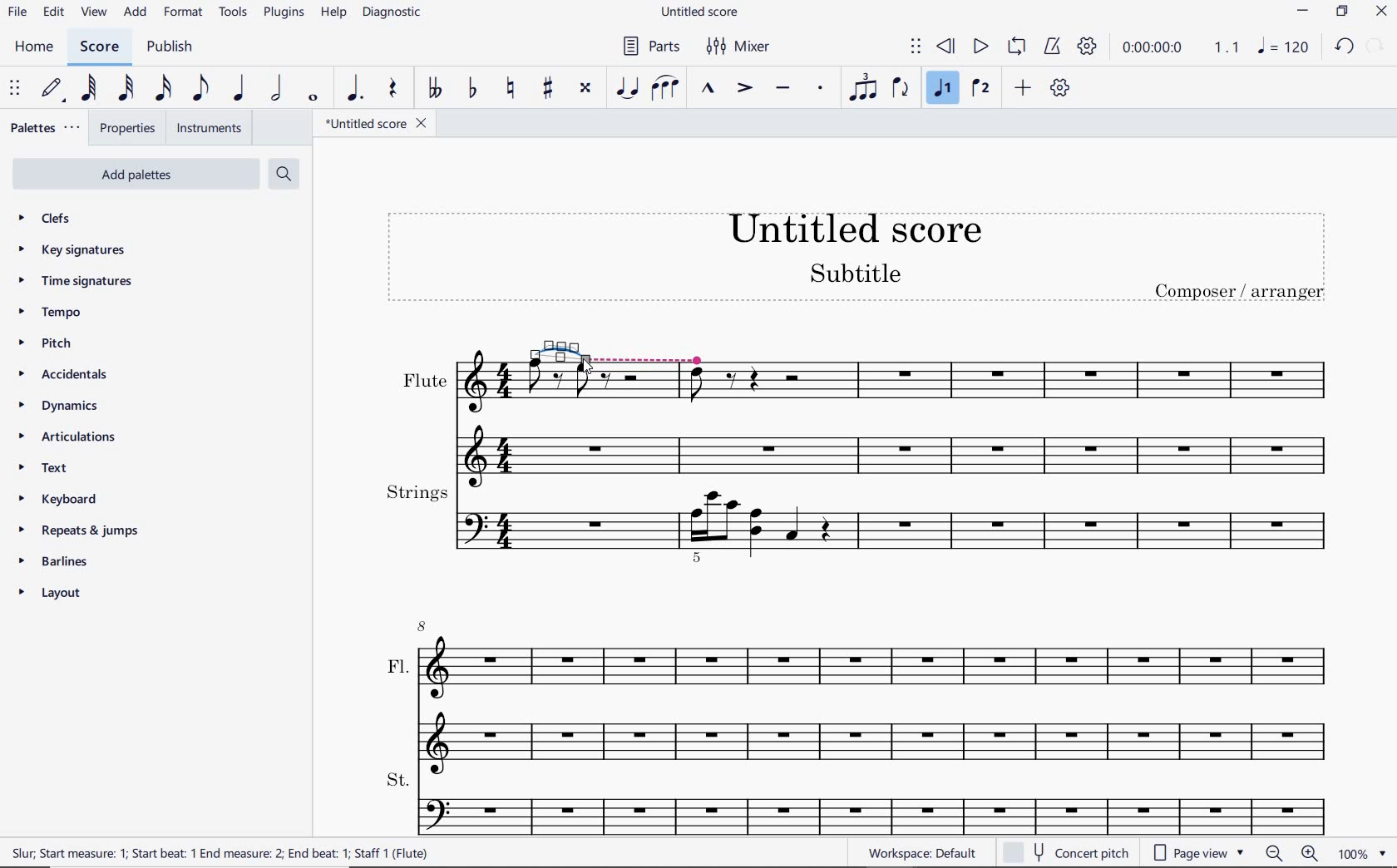 The image size is (1397, 868). Describe the element at coordinates (1341, 12) in the screenshot. I see `restore down` at that location.